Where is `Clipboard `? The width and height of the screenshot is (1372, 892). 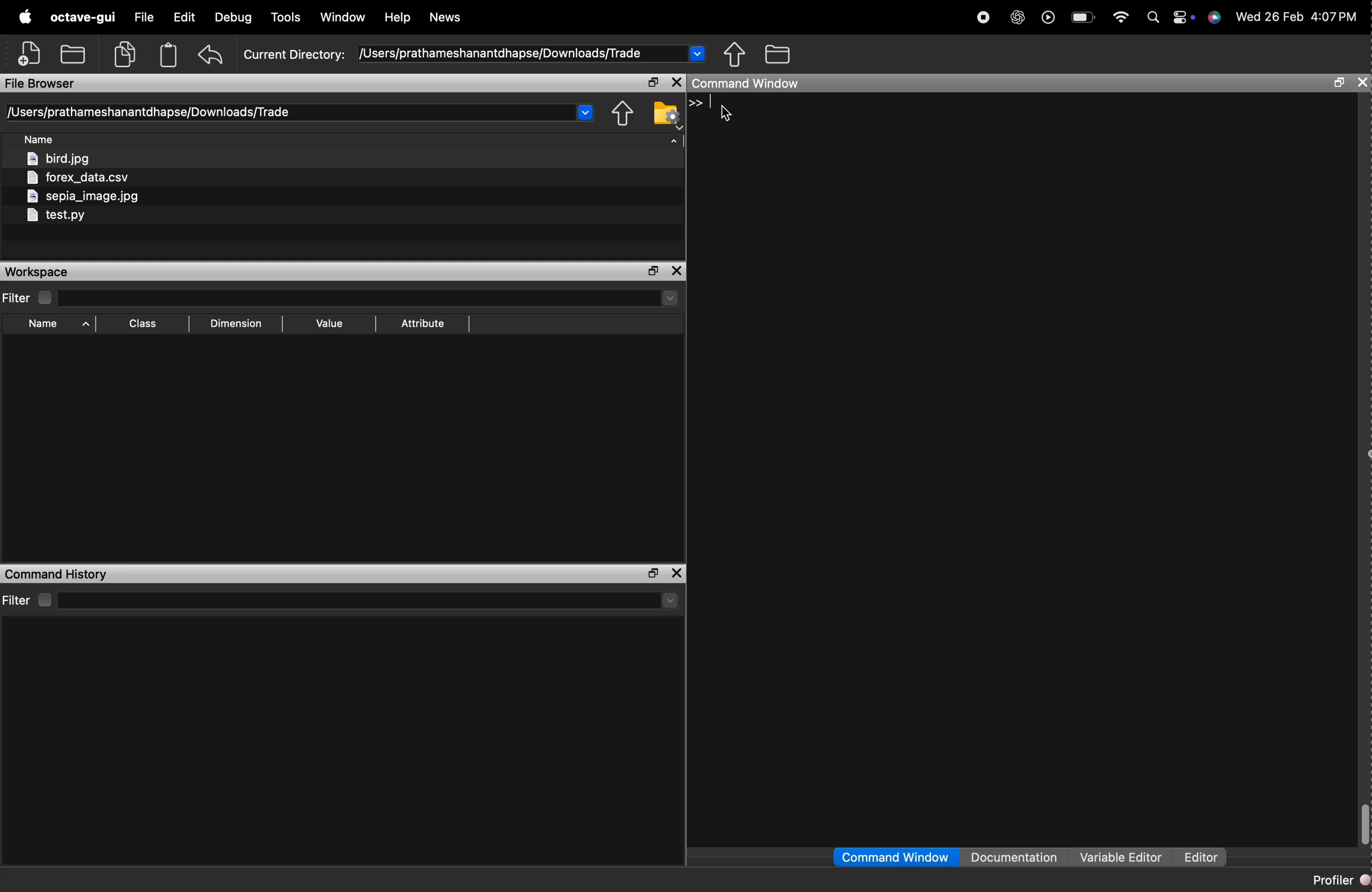 Clipboard  is located at coordinates (170, 55).